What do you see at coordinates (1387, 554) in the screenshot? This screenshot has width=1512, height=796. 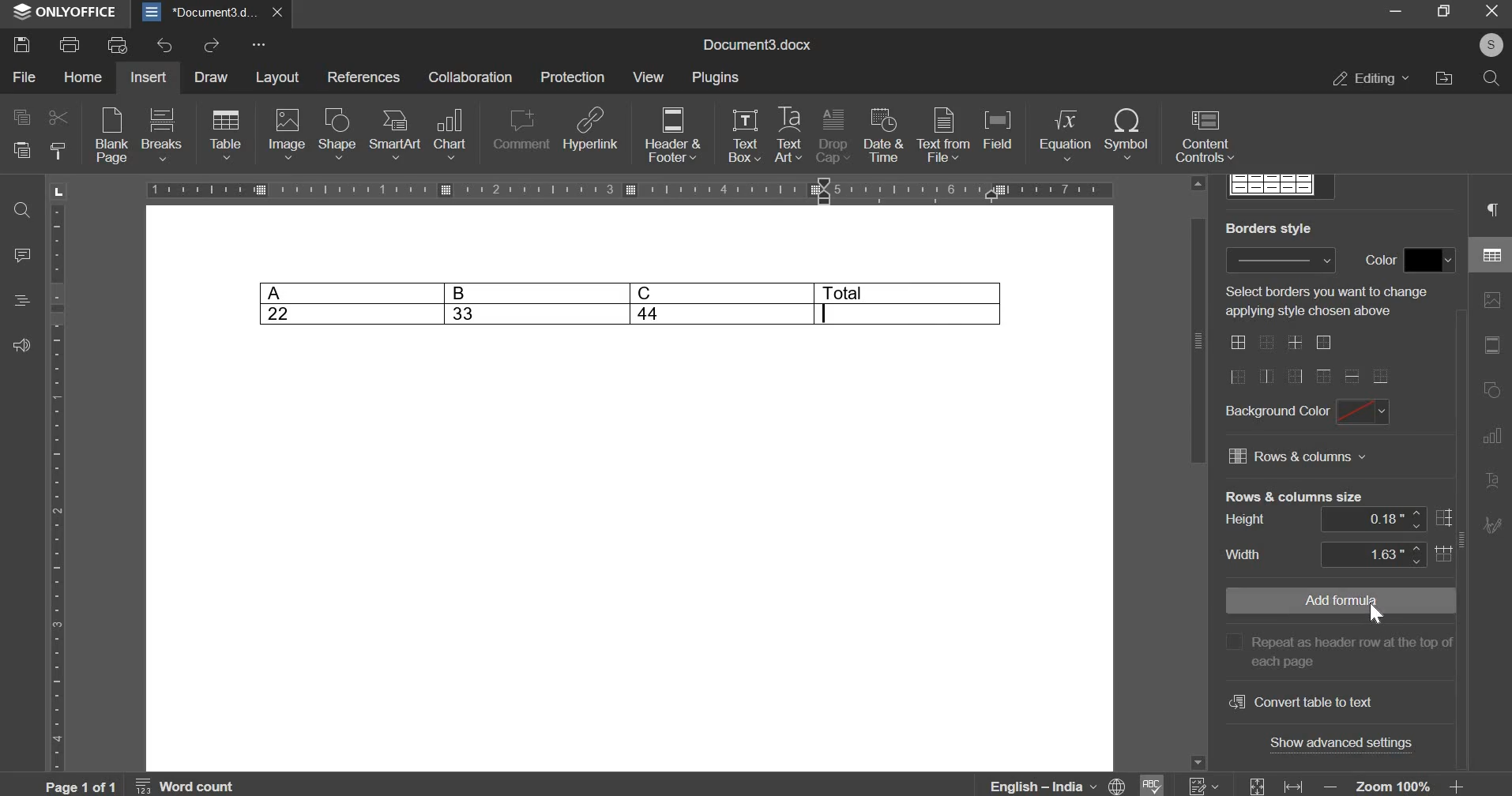 I see `width` at bounding box center [1387, 554].